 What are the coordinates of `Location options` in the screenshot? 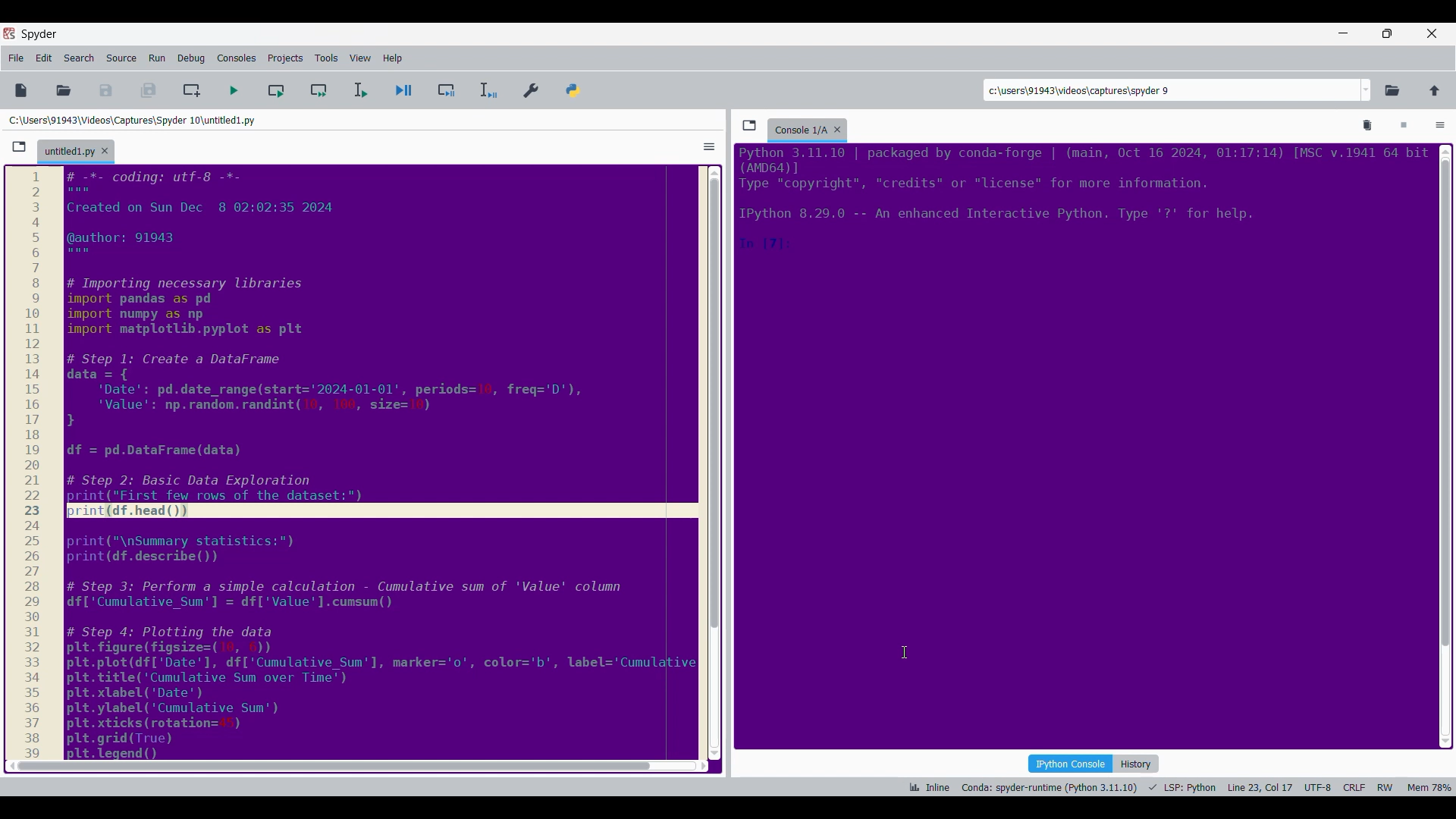 It's located at (1367, 90).